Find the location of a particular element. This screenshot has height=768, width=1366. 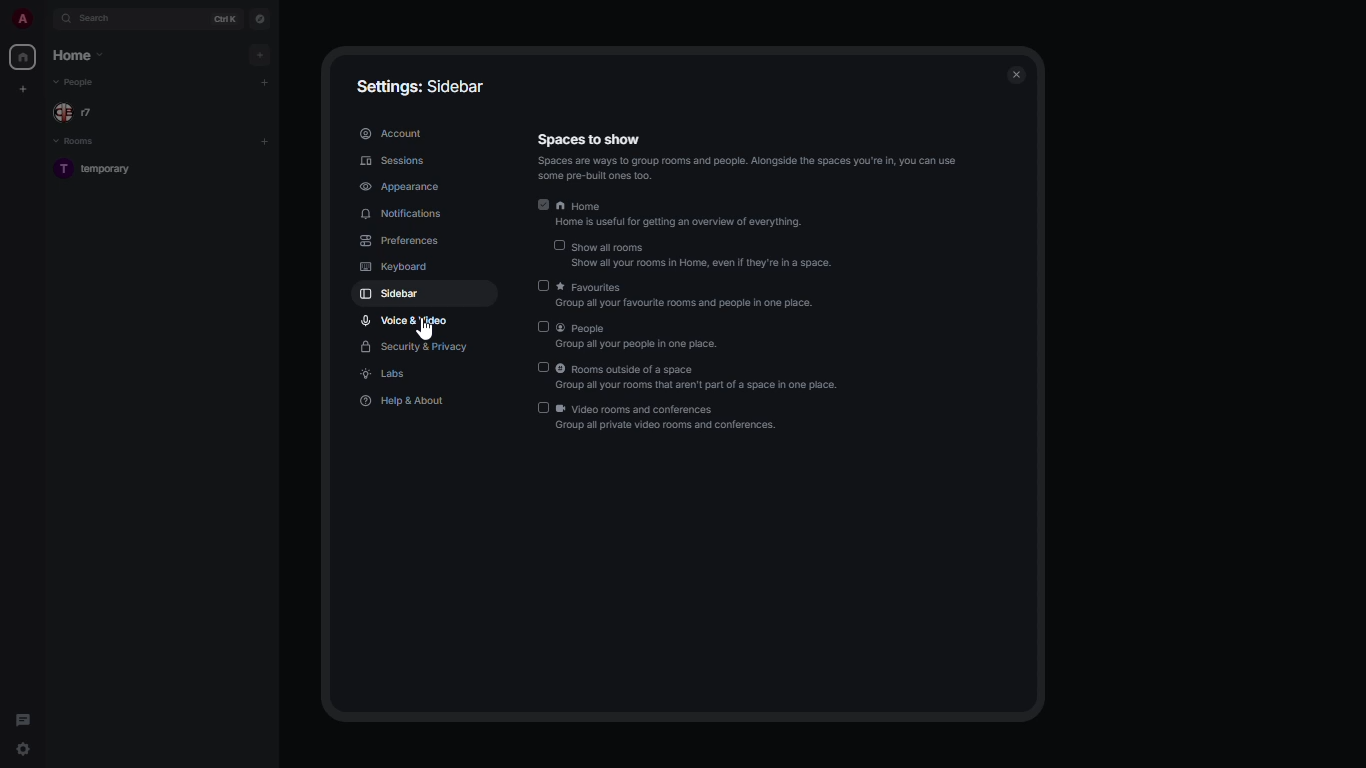

labs is located at coordinates (384, 376).